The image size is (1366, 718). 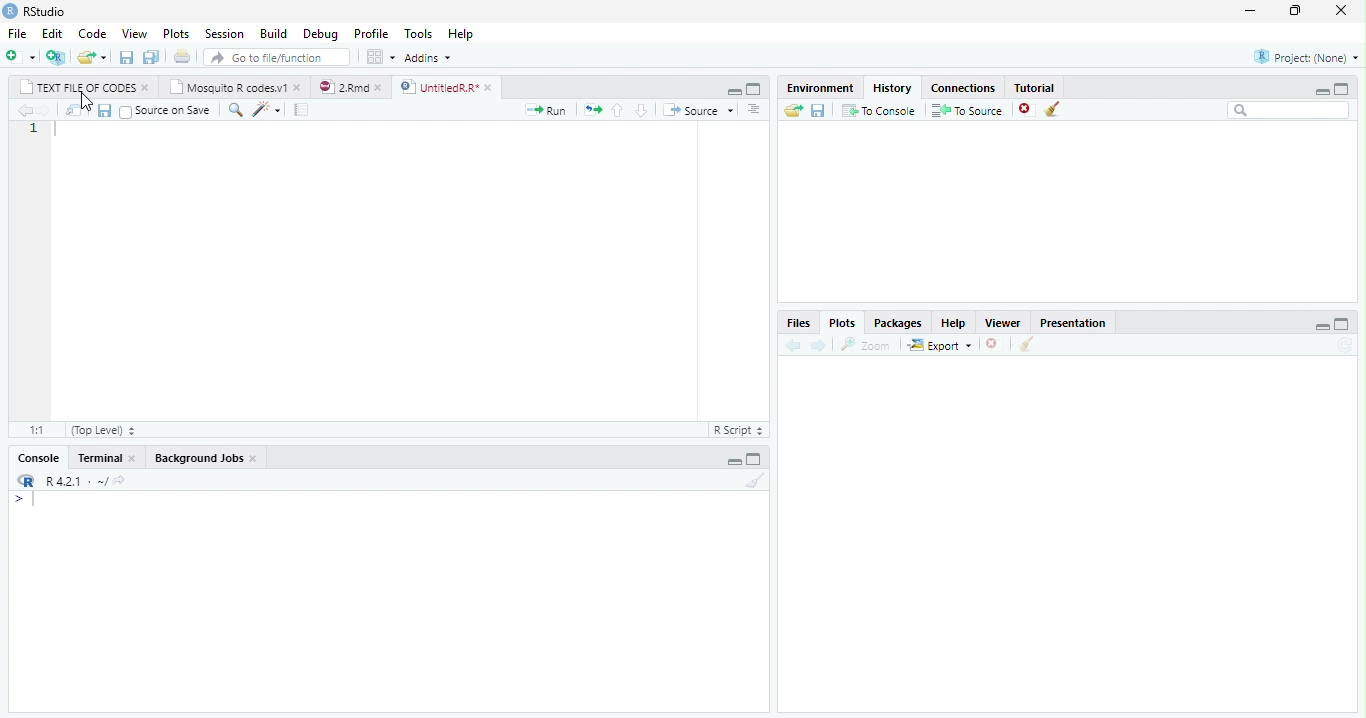 I want to click on close, so click(x=298, y=88).